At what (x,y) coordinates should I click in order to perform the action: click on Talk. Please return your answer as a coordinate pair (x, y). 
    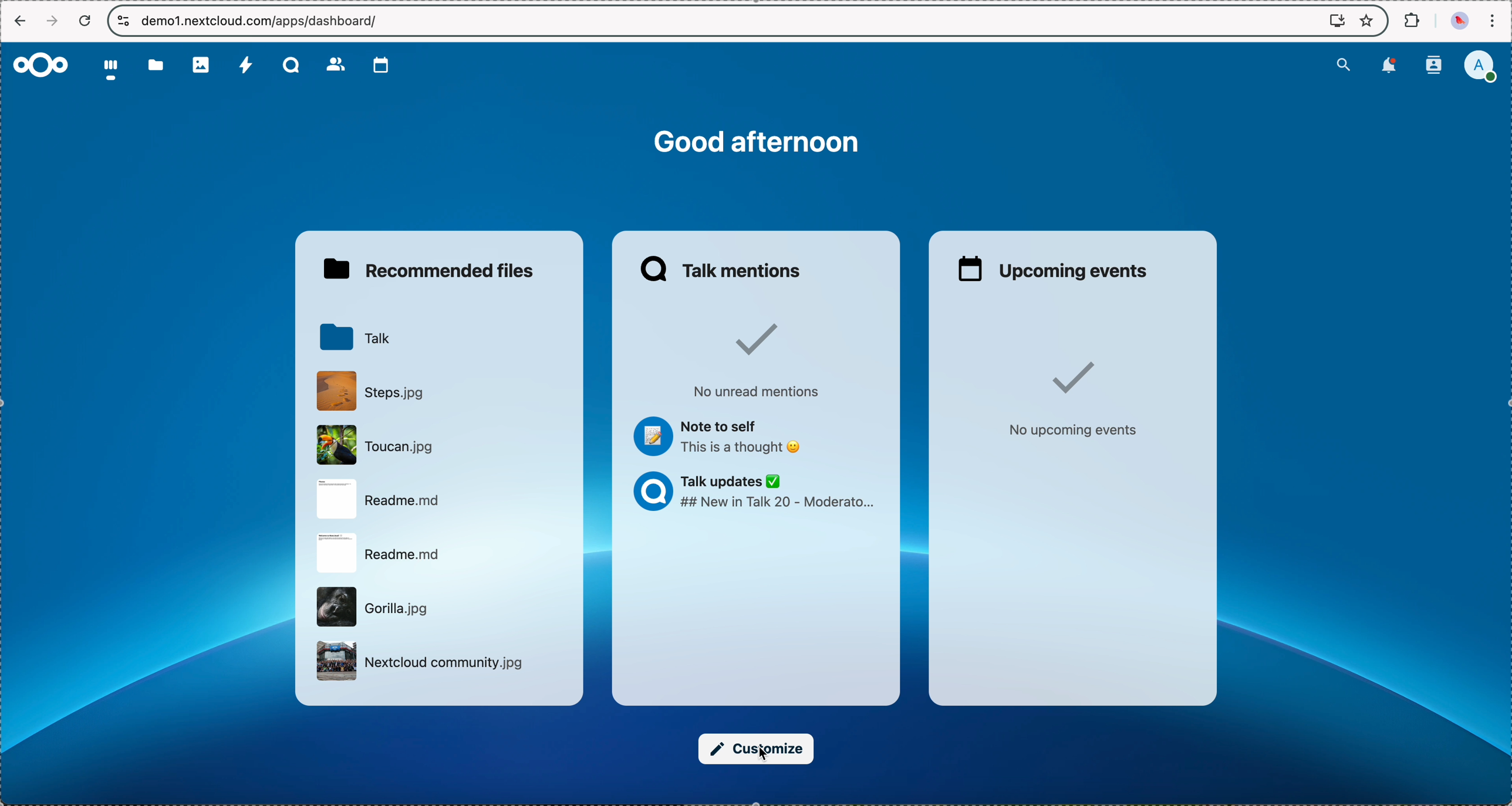
    Looking at the image, I should click on (289, 64).